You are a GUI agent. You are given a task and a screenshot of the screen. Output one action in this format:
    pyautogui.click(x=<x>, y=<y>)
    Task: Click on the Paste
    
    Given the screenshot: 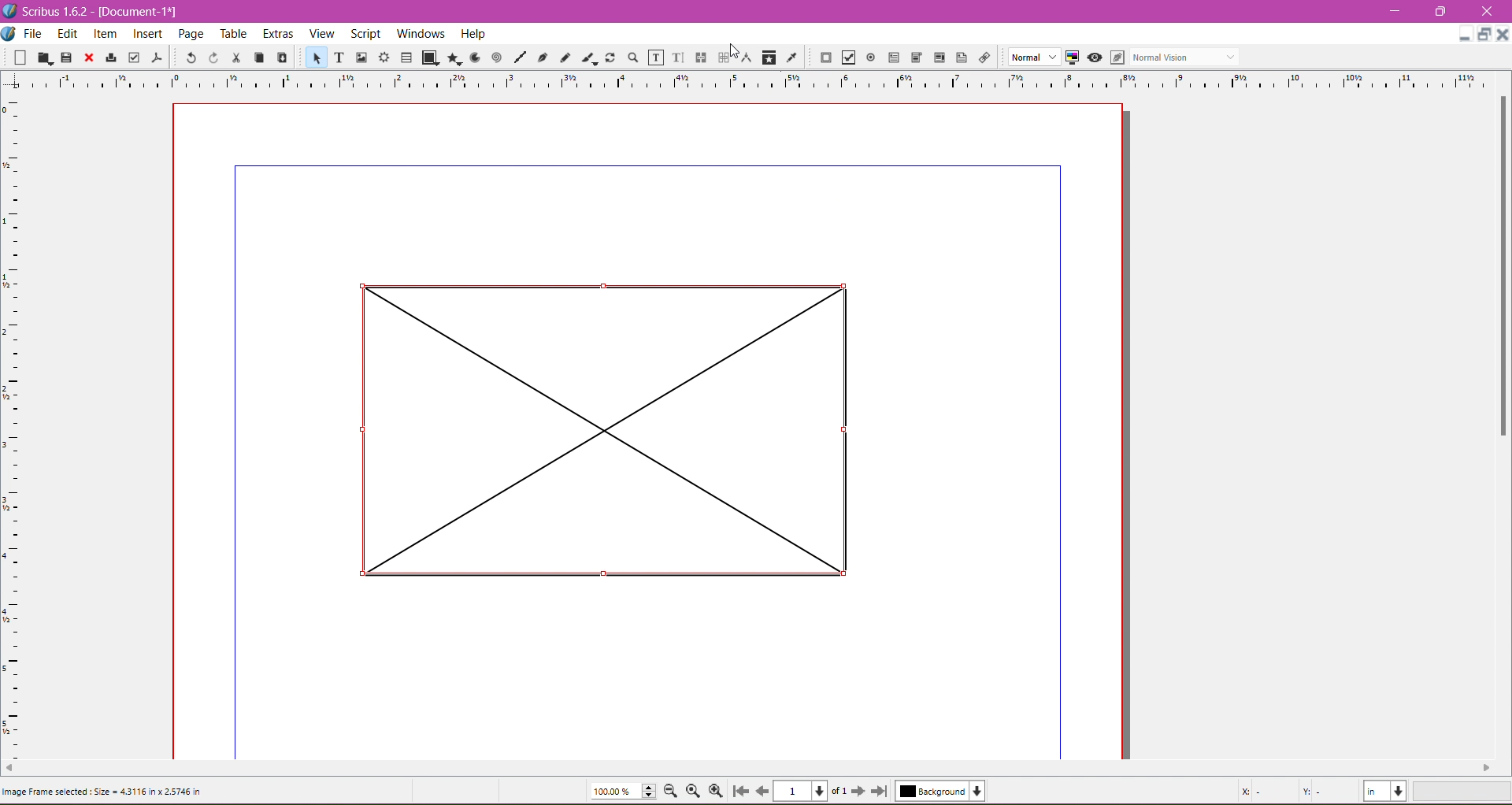 What is the action you would take?
    pyautogui.click(x=282, y=56)
    